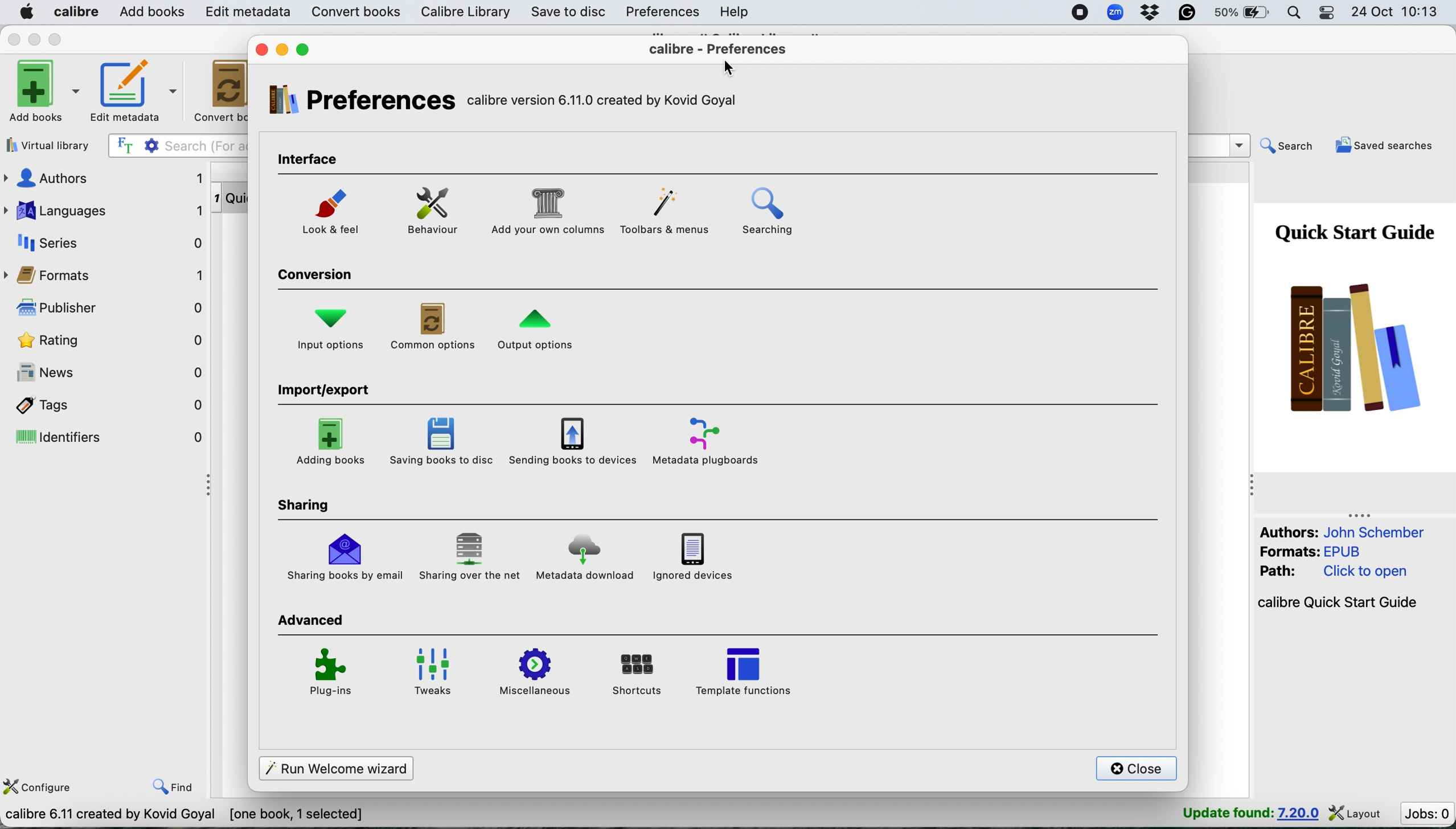 Image resolution: width=1456 pixels, height=829 pixels. Describe the element at coordinates (154, 146) in the screenshot. I see `settings` at that location.